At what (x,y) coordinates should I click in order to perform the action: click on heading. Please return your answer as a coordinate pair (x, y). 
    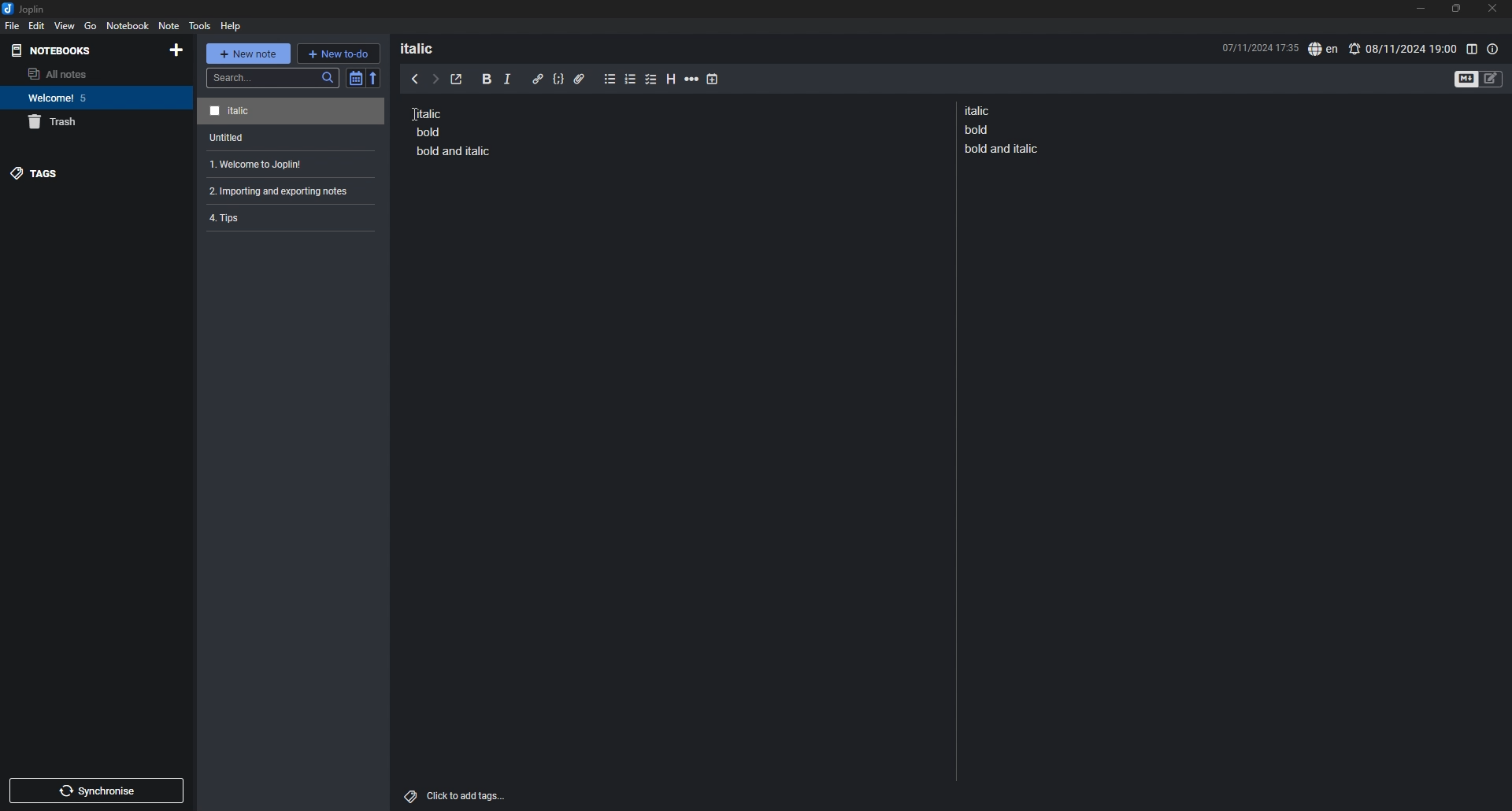
    Looking at the image, I should click on (427, 48).